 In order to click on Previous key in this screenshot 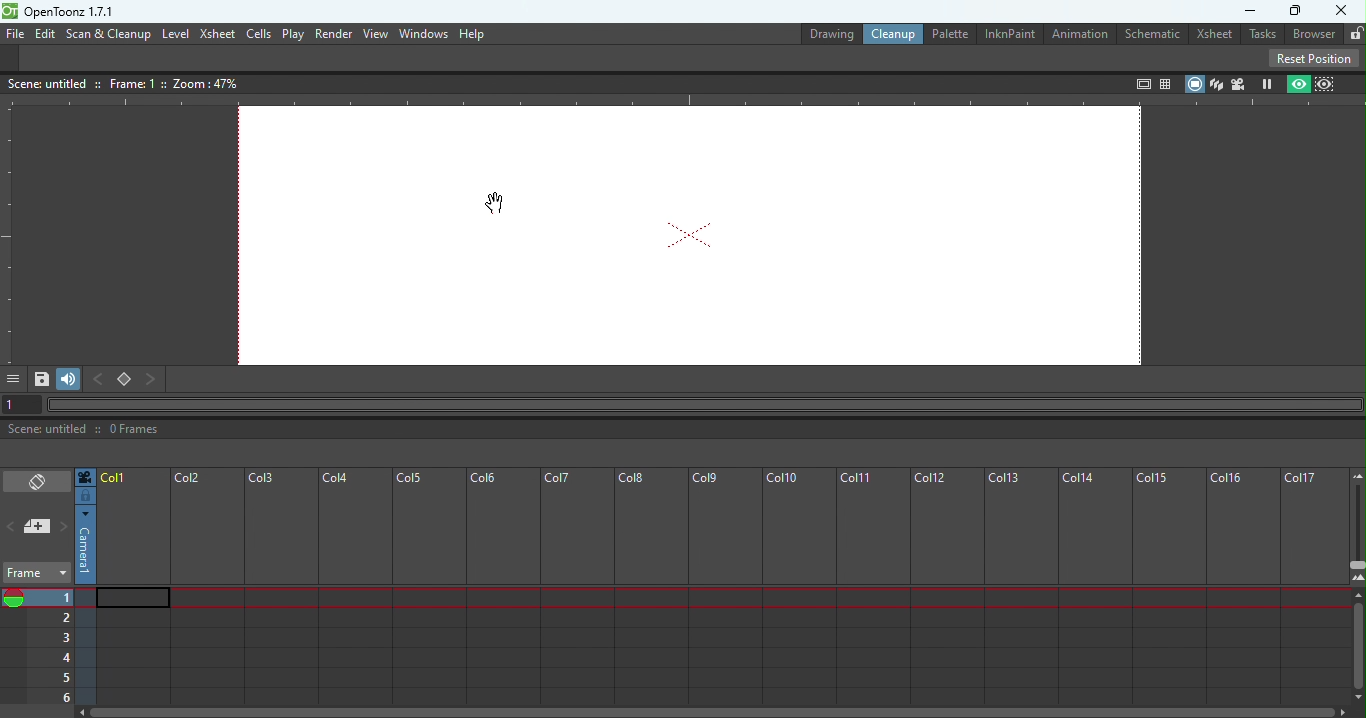, I will do `click(97, 376)`.